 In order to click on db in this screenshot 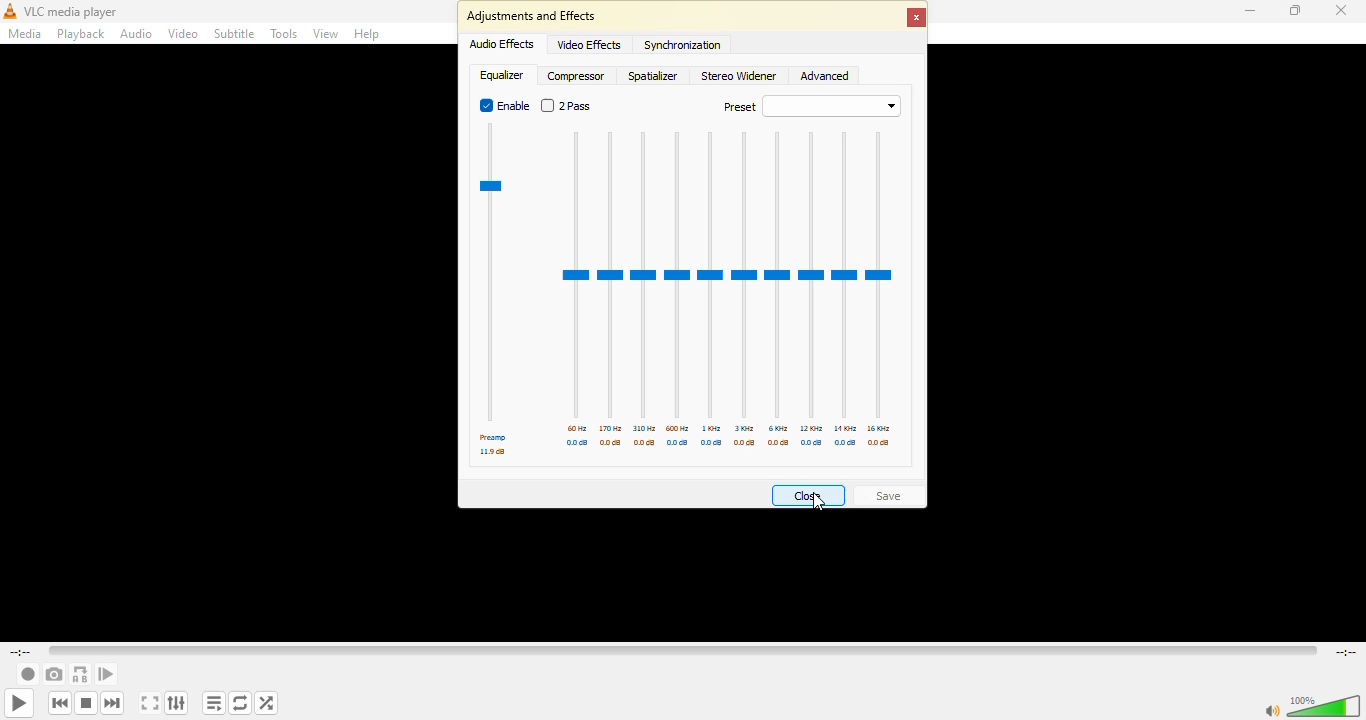, I will do `click(578, 443)`.